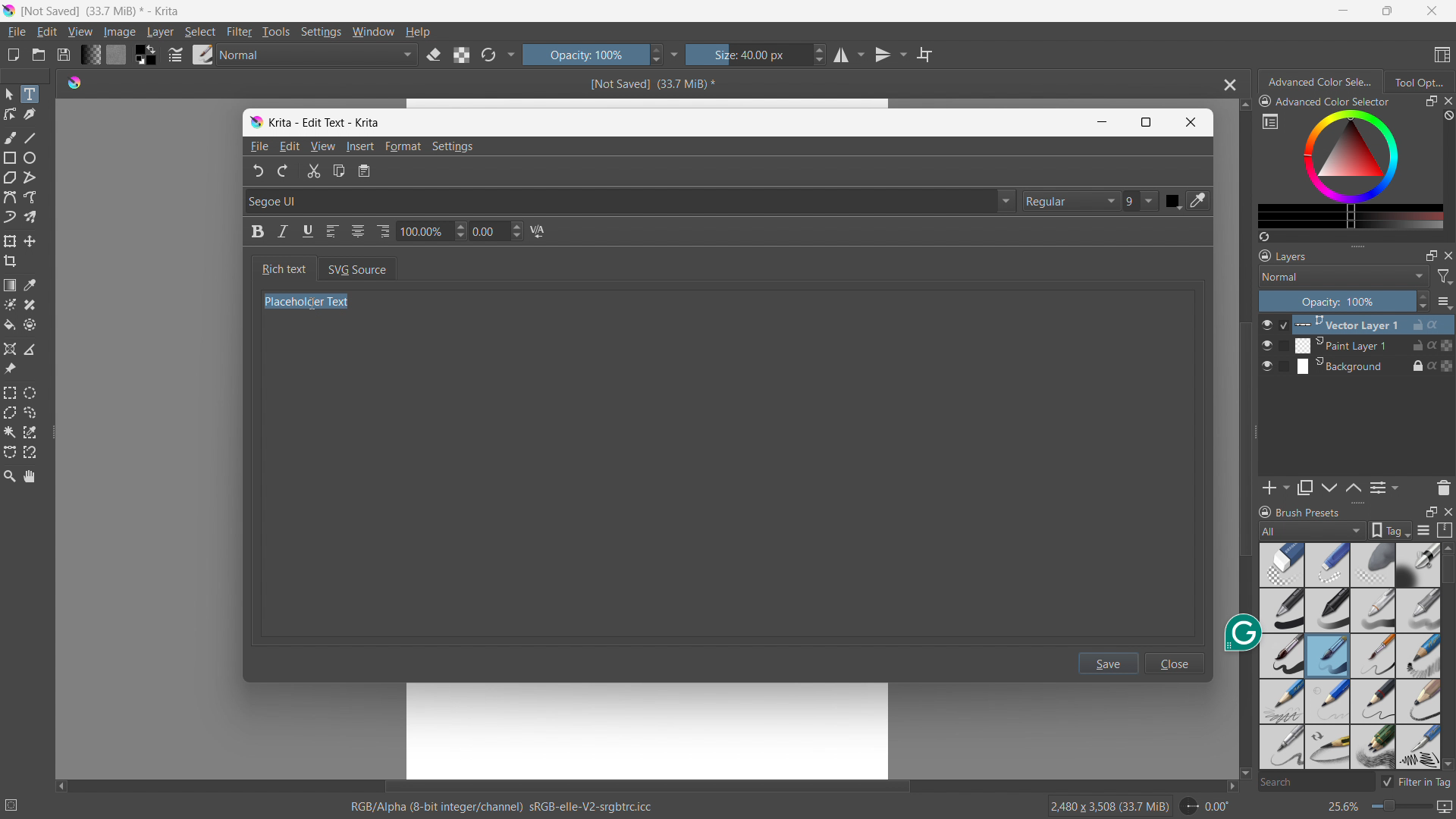 This screenshot has height=819, width=1456. What do you see at coordinates (63, 55) in the screenshot?
I see `save` at bounding box center [63, 55].